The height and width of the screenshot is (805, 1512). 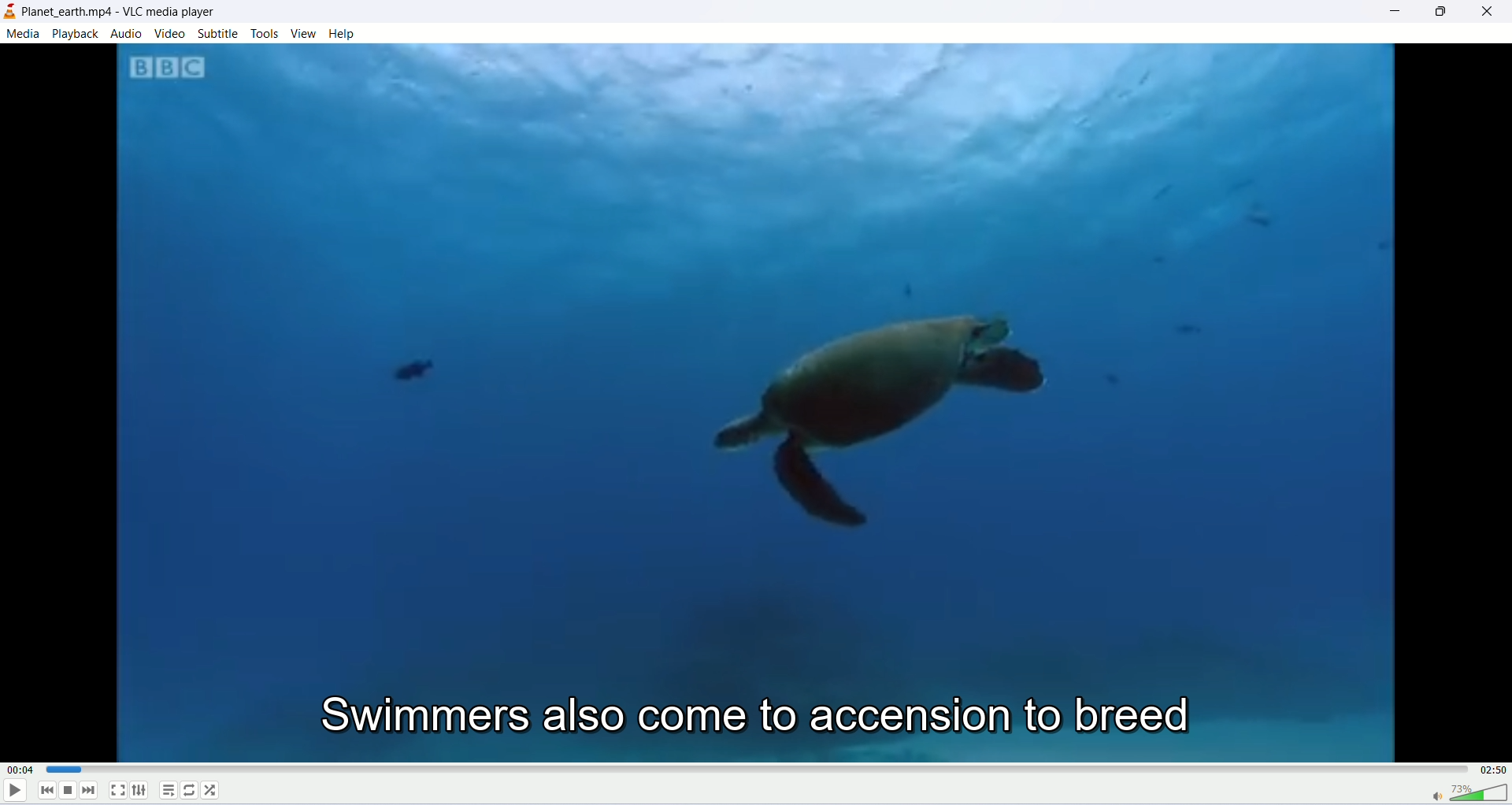 I want to click on help, so click(x=343, y=33).